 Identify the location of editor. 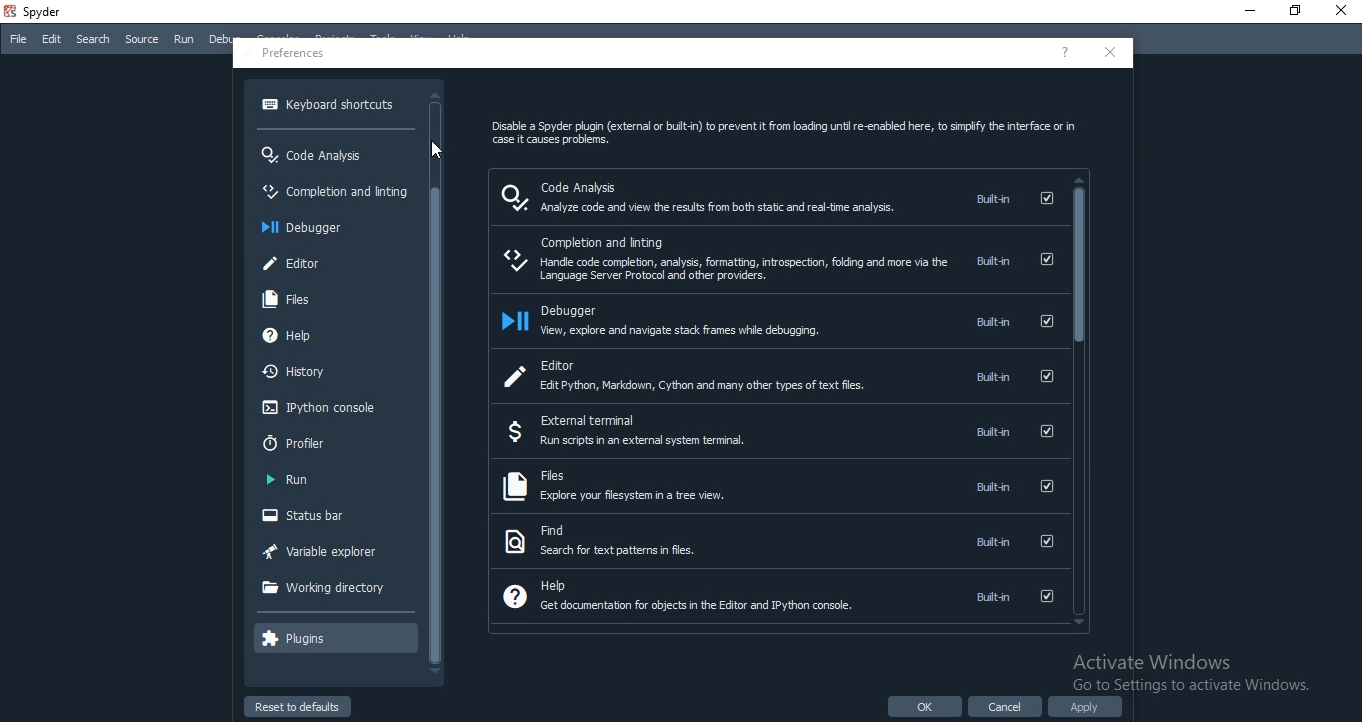
(777, 375).